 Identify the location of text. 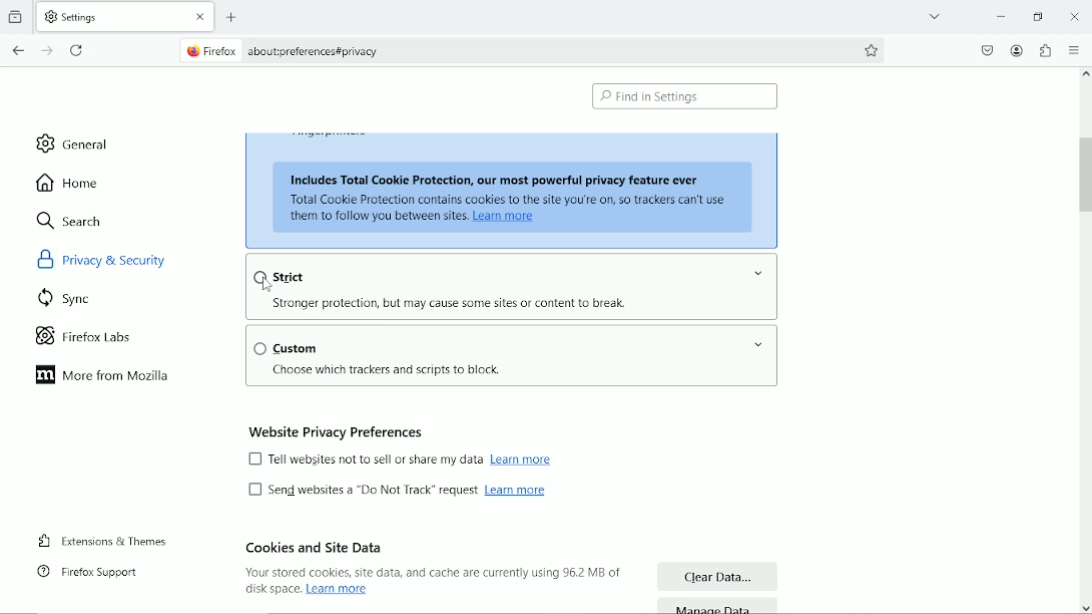
(497, 180).